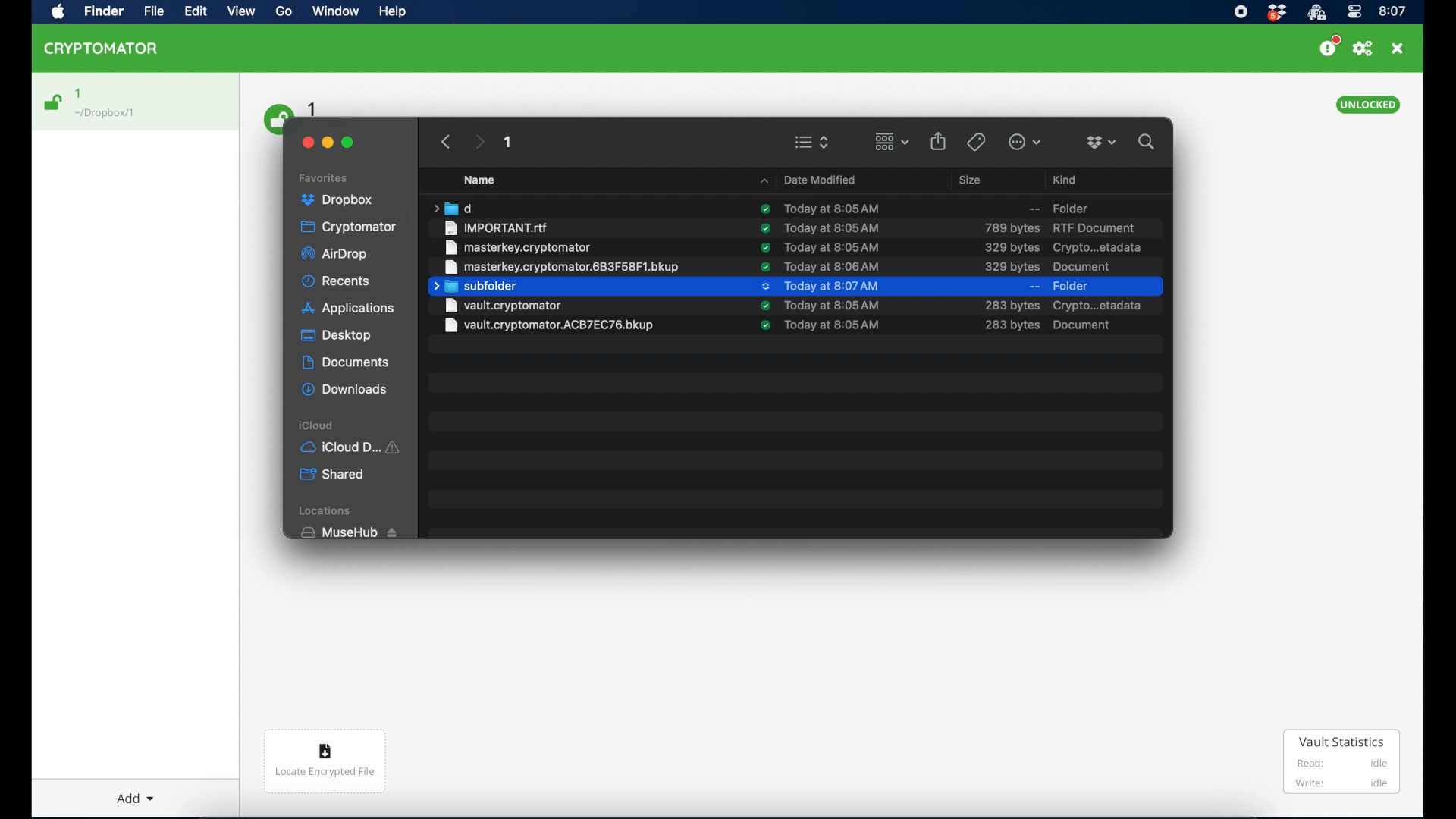  Describe the element at coordinates (1011, 227) in the screenshot. I see `size` at that location.